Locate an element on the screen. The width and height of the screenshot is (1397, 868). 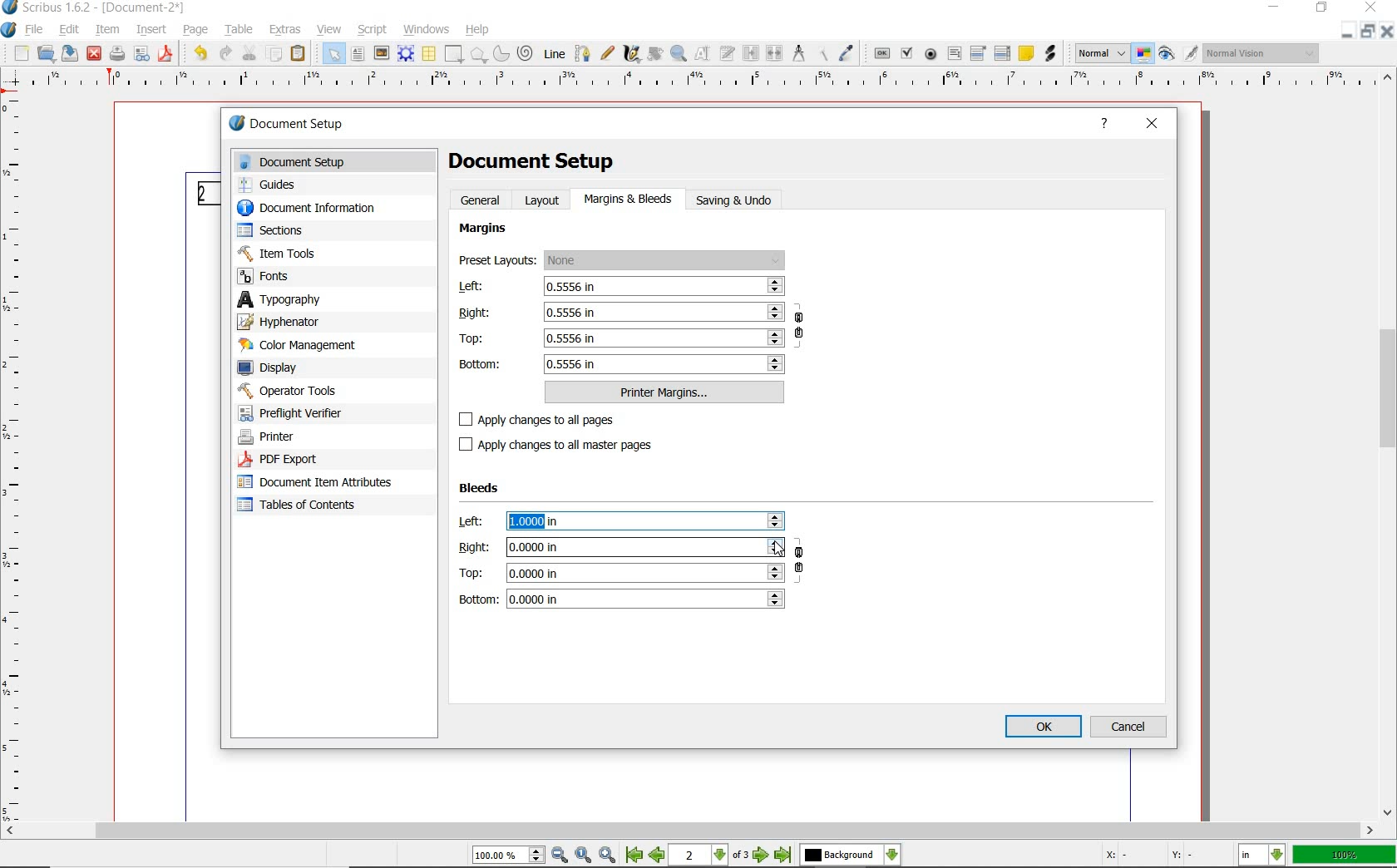
table is located at coordinates (428, 54).